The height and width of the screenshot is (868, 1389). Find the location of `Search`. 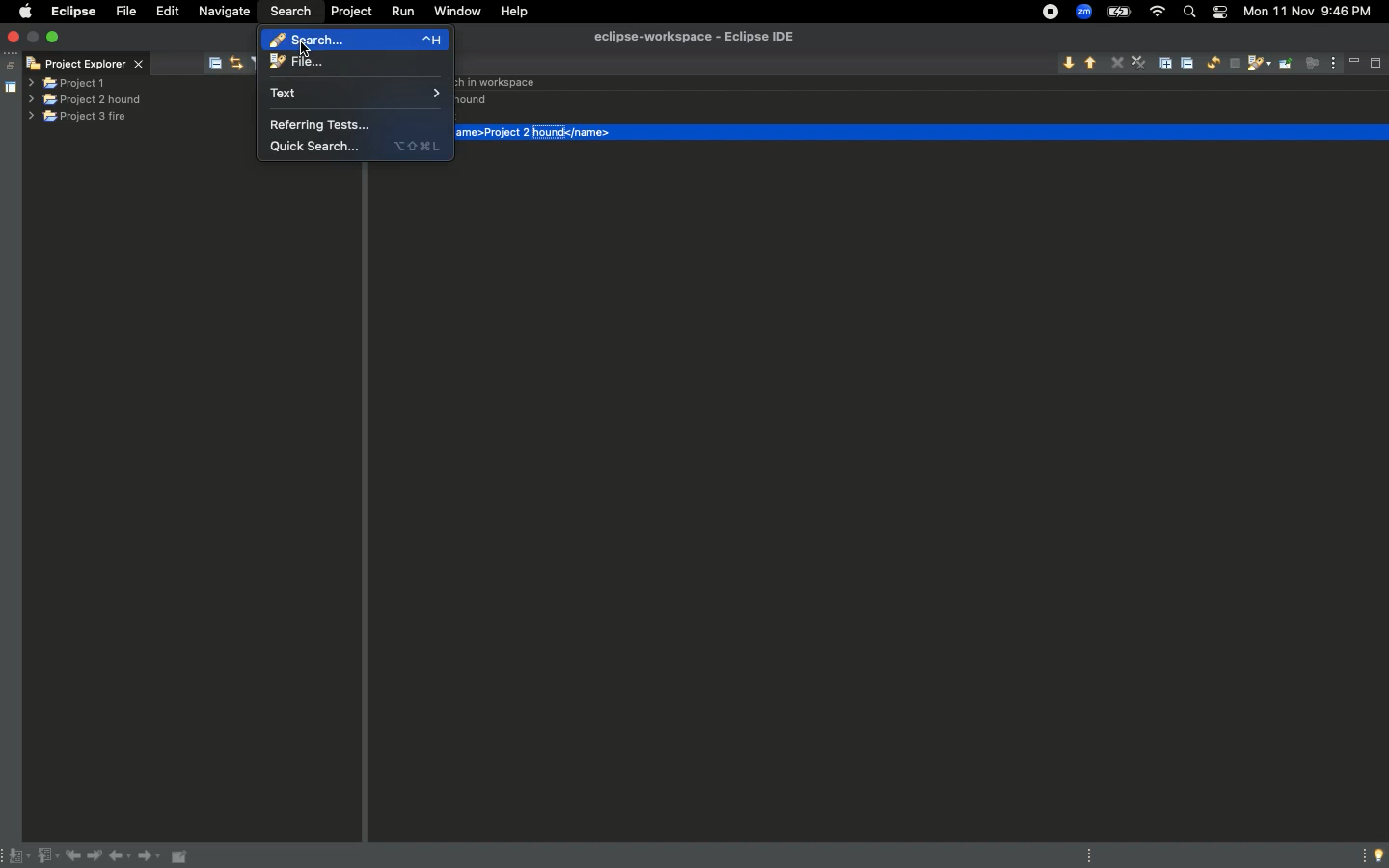

Search is located at coordinates (293, 10).